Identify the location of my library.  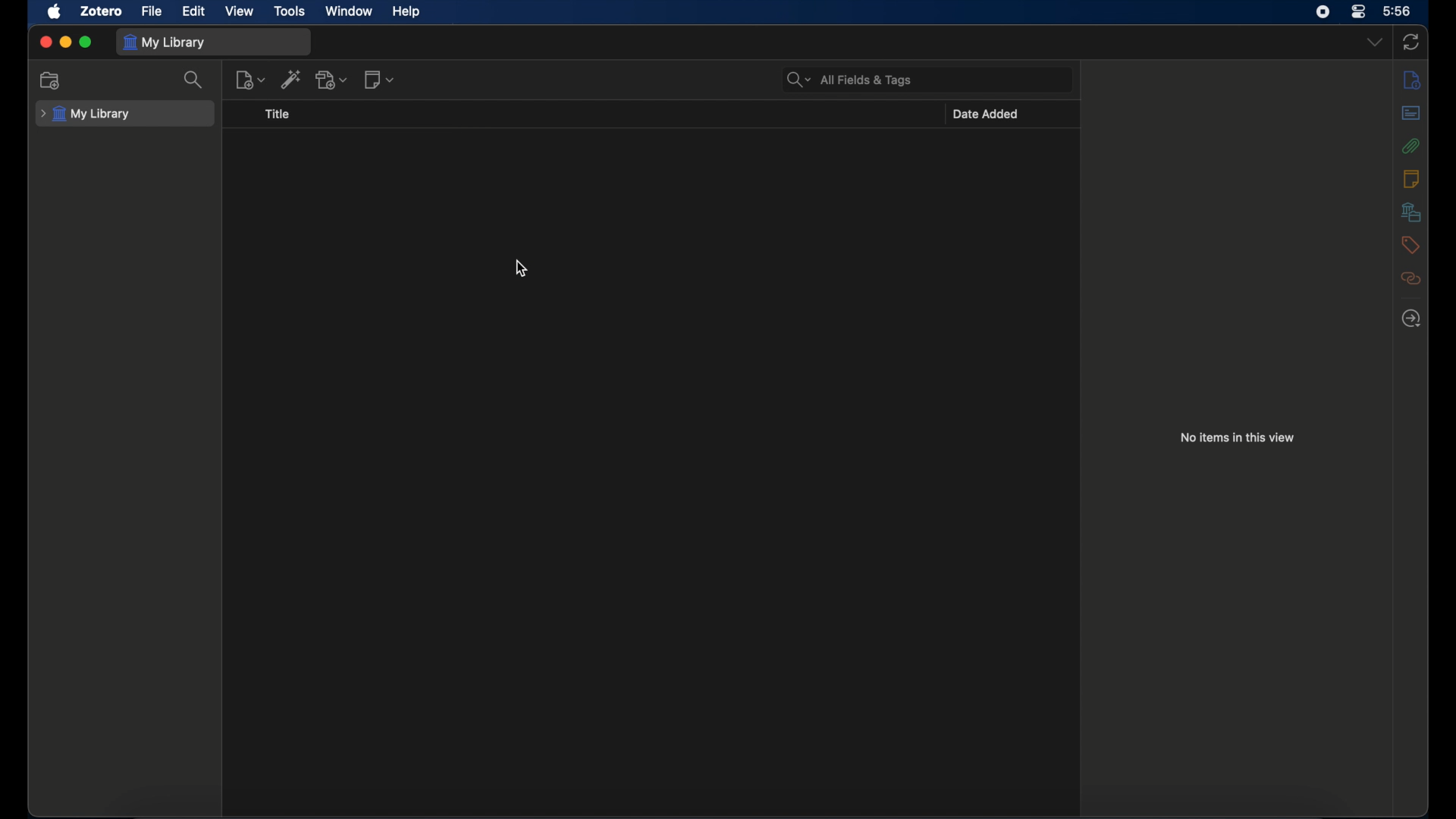
(86, 115).